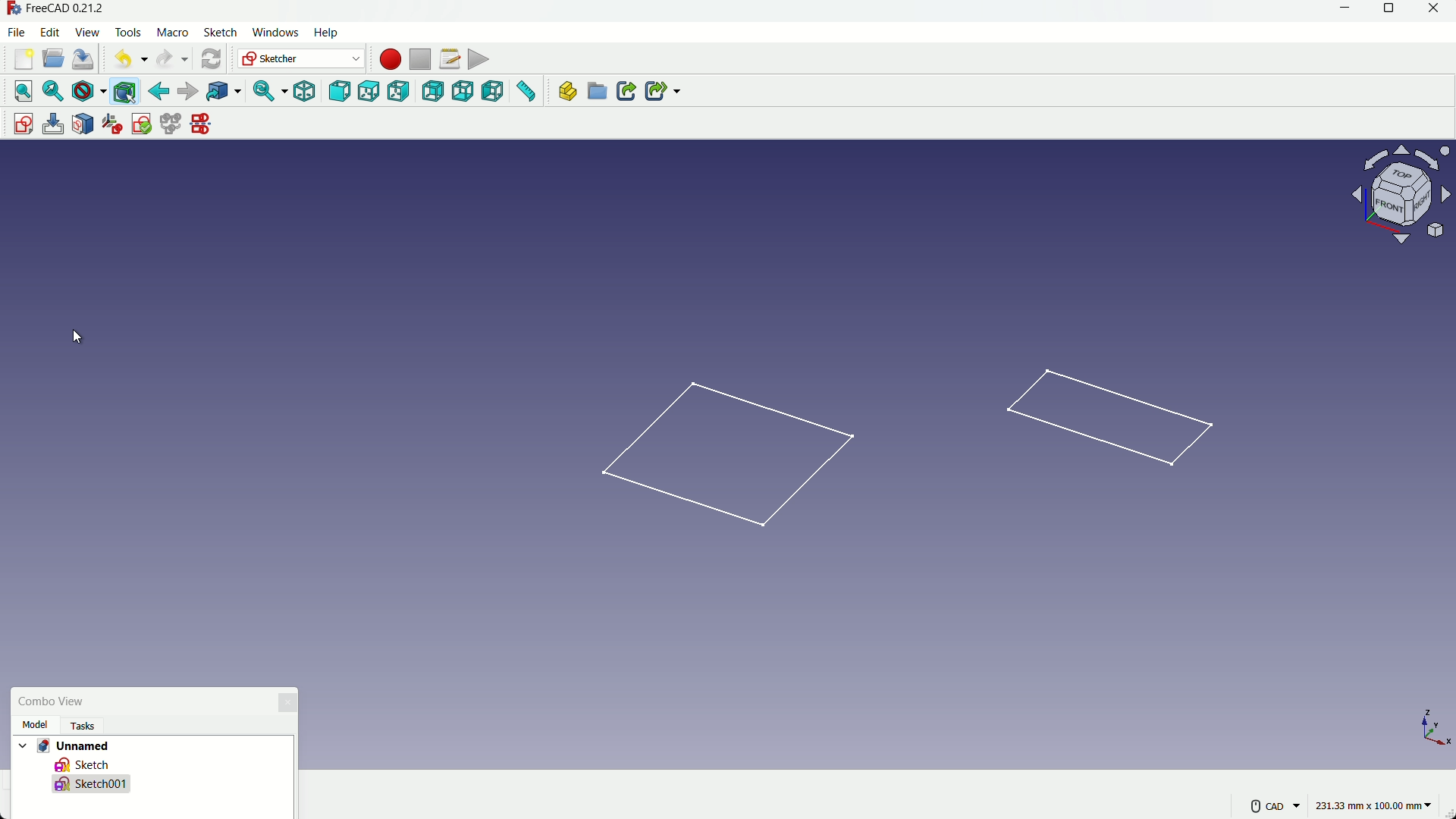  What do you see at coordinates (730, 450) in the screenshot?
I see `first sketch` at bounding box center [730, 450].